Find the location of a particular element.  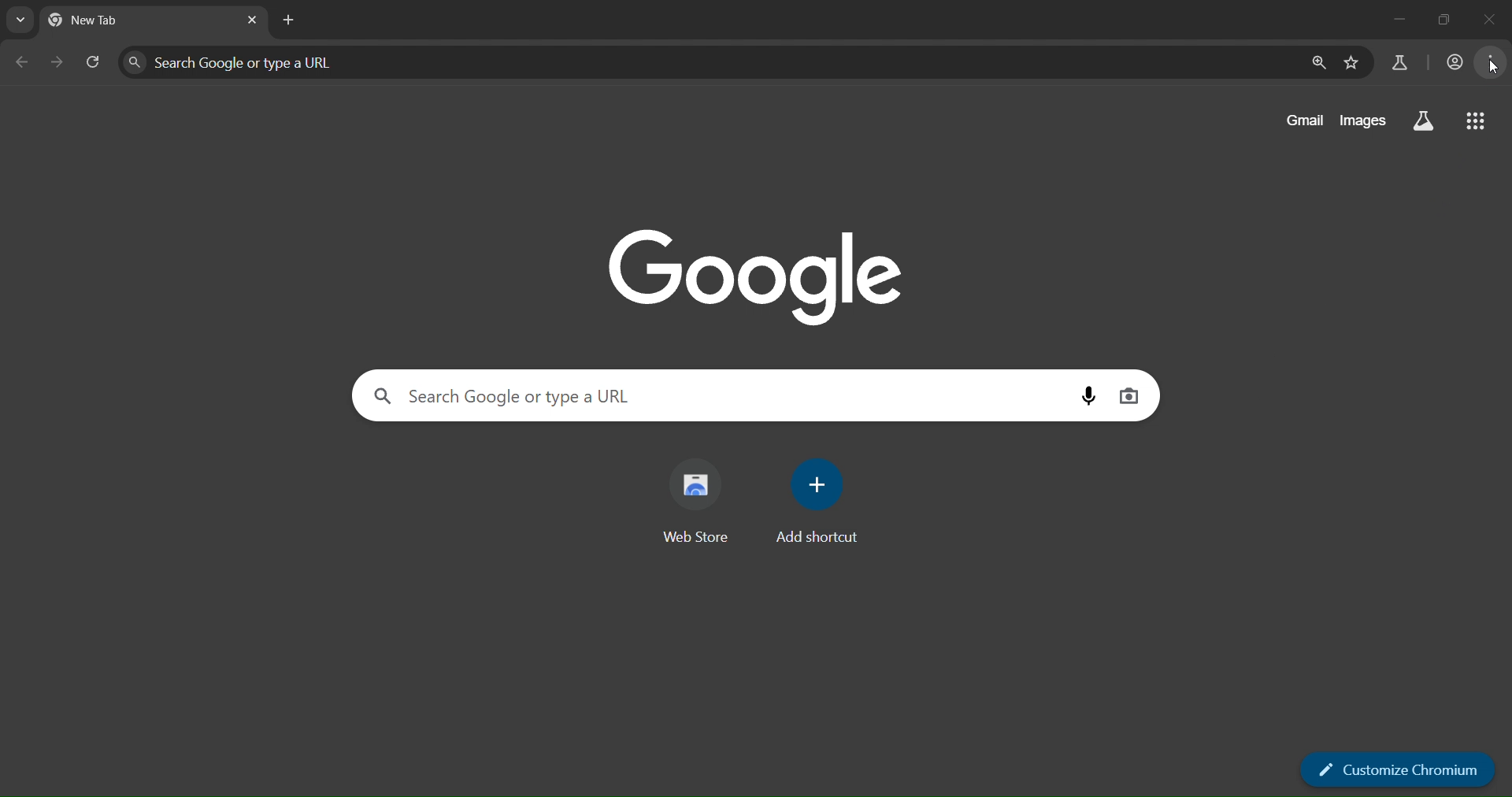

images is located at coordinates (1364, 120).